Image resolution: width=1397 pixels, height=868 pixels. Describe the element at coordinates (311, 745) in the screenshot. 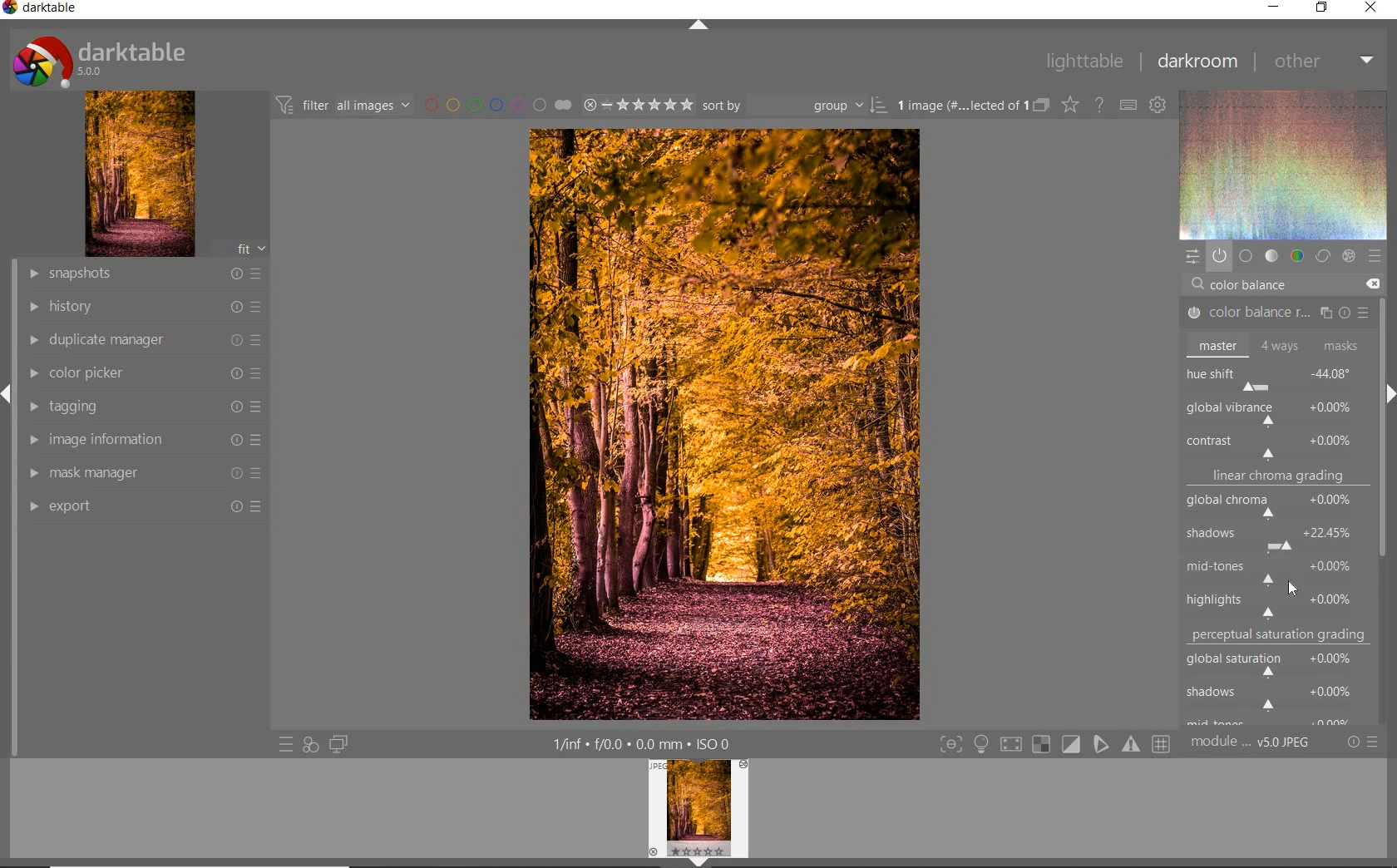

I see `quick access for applying any style` at that location.